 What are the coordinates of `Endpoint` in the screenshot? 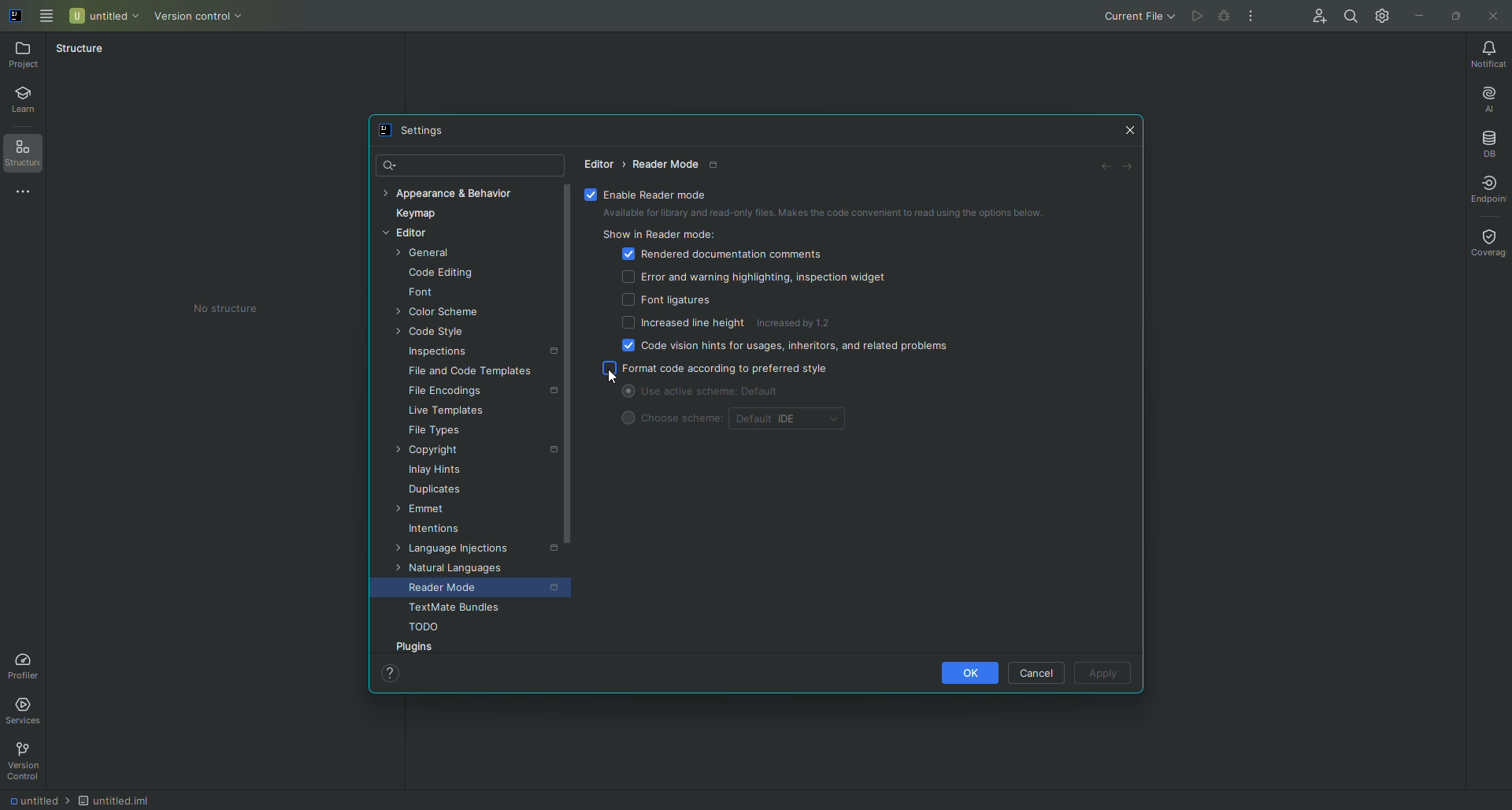 It's located at (1489, 190).